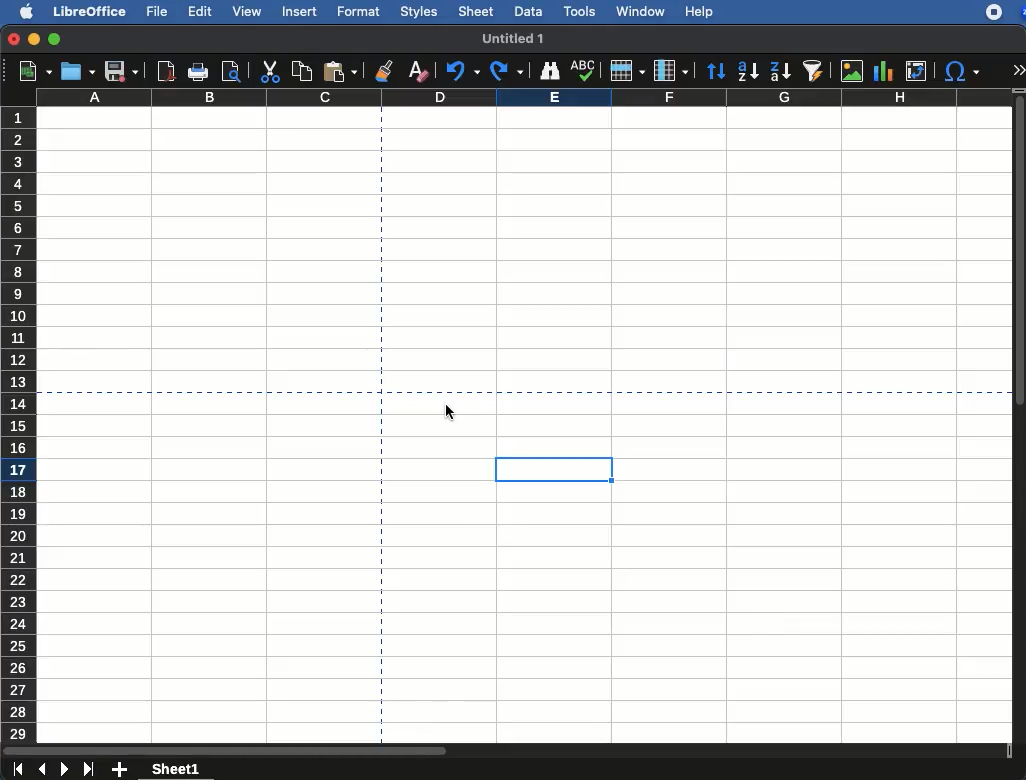  What do you see at coordinates (301, 11) in the screenshot?
I see `insert` at bounding box center [301, 11].